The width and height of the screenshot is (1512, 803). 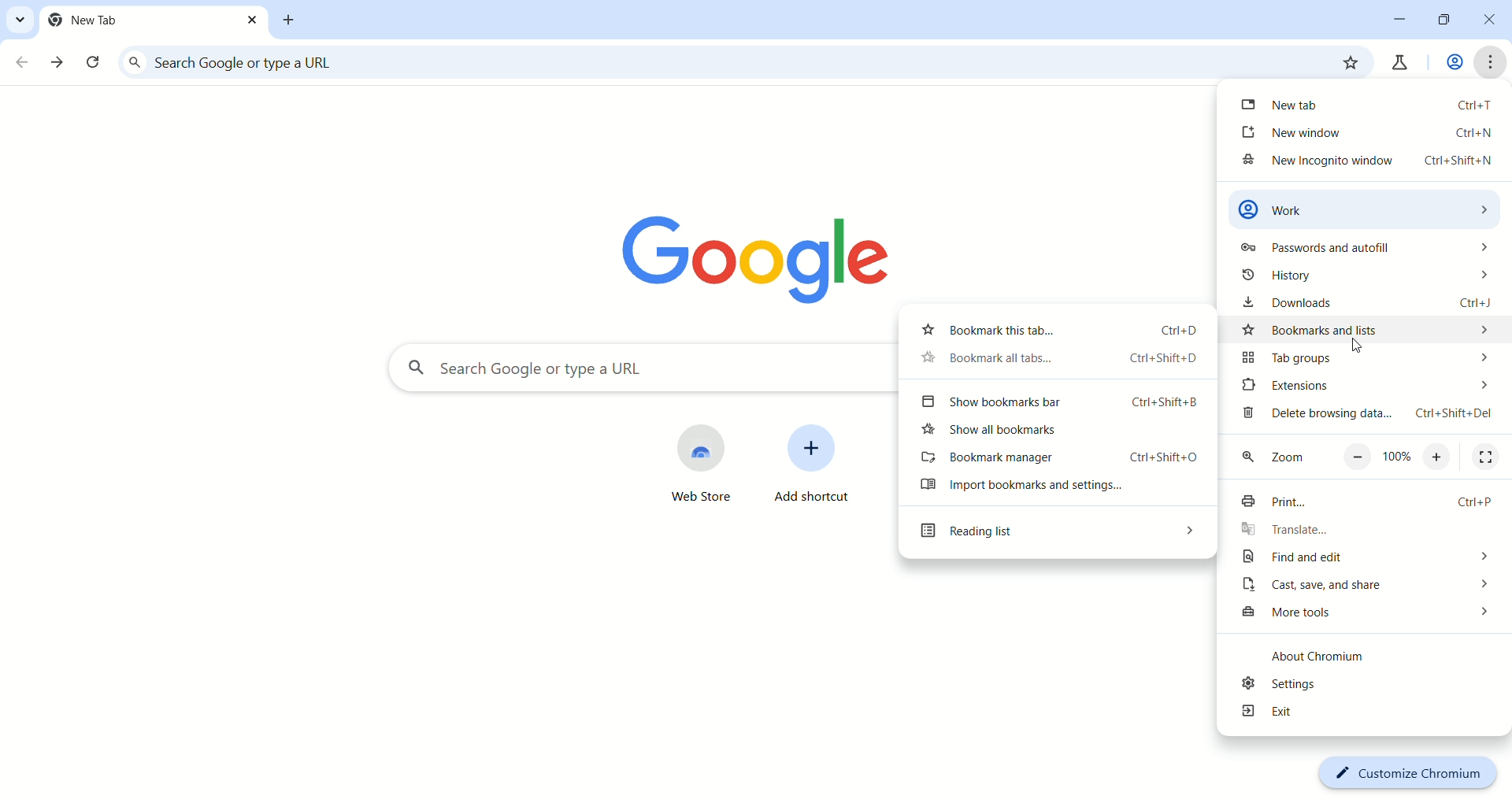 I want to click on work, so click(x=1452, y=64).